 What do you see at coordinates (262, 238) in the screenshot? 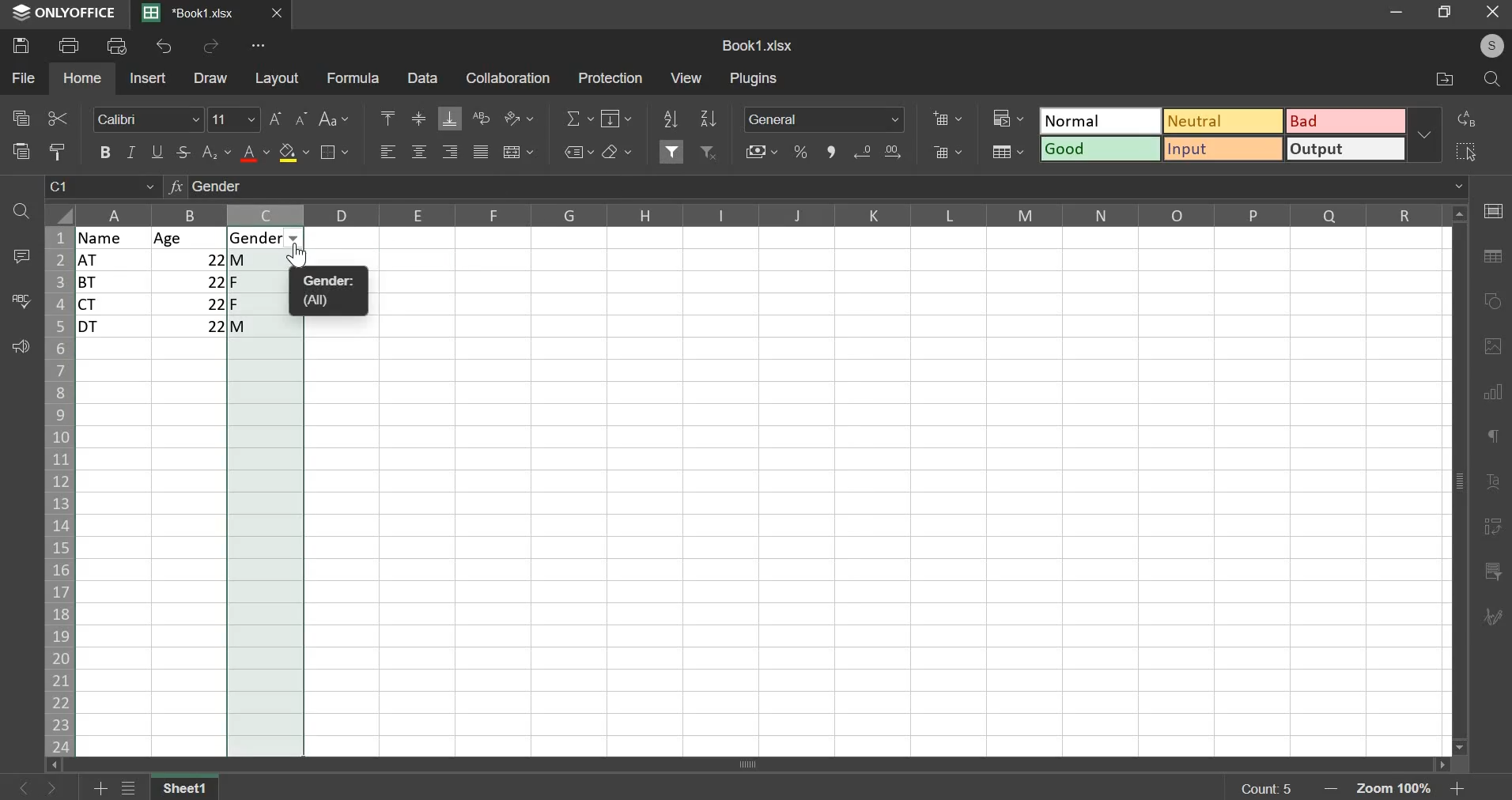
I see `gender` at bounding box center [262, 238].